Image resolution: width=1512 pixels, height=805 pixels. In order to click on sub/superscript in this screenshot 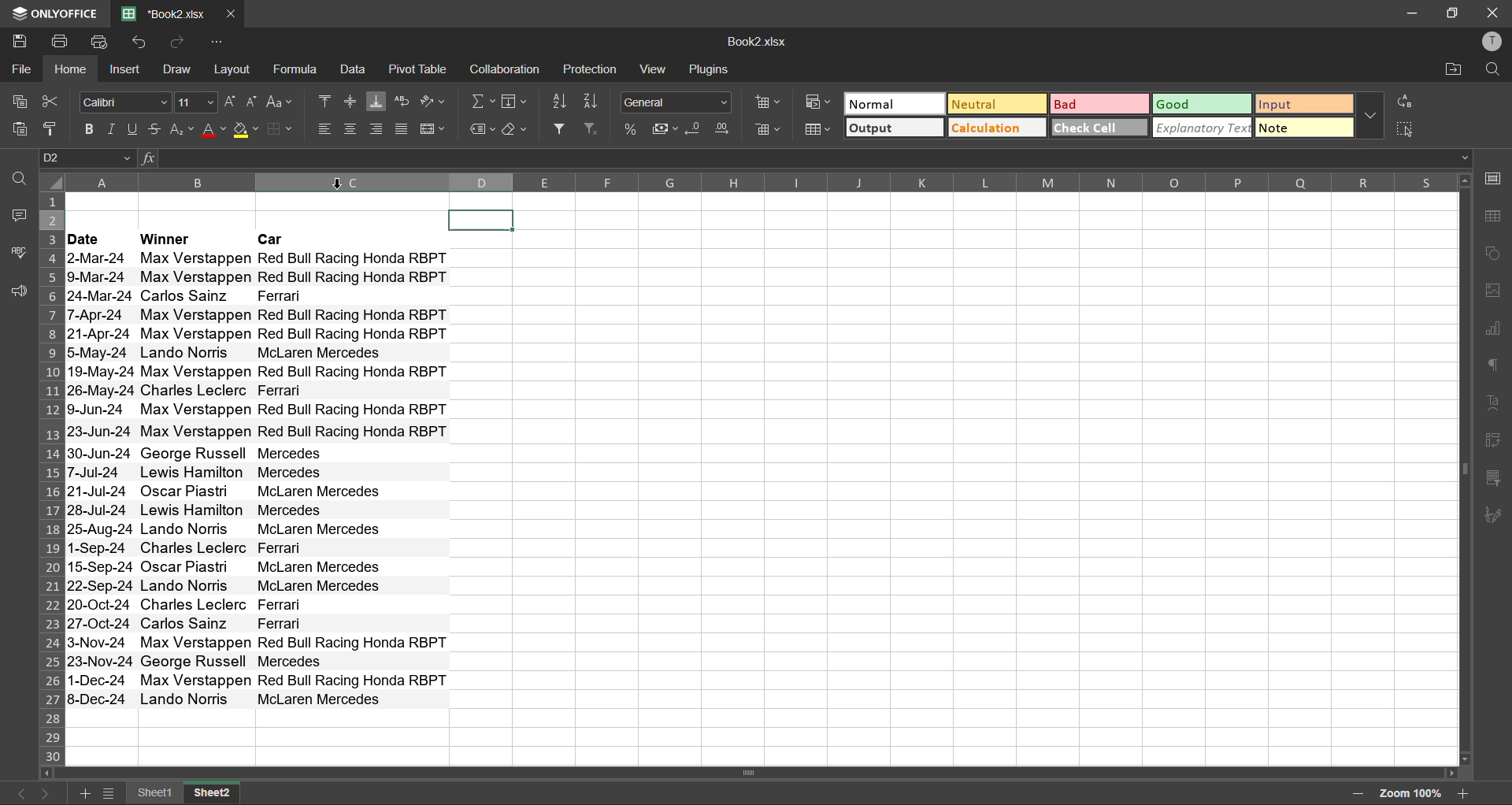, I will do `click(183, 131)`.